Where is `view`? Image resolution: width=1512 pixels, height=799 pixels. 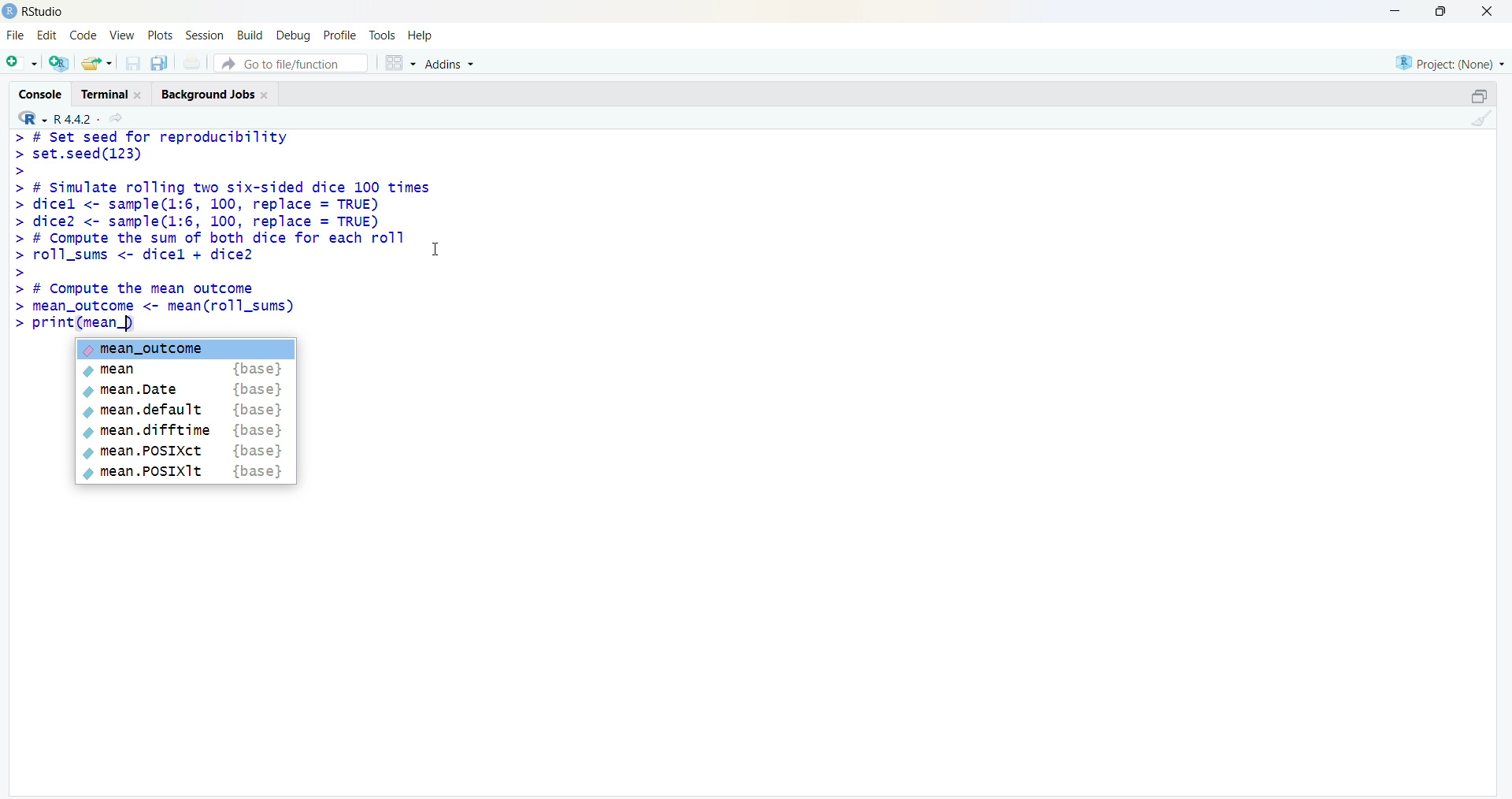 view is located at coordinates (122, 35).